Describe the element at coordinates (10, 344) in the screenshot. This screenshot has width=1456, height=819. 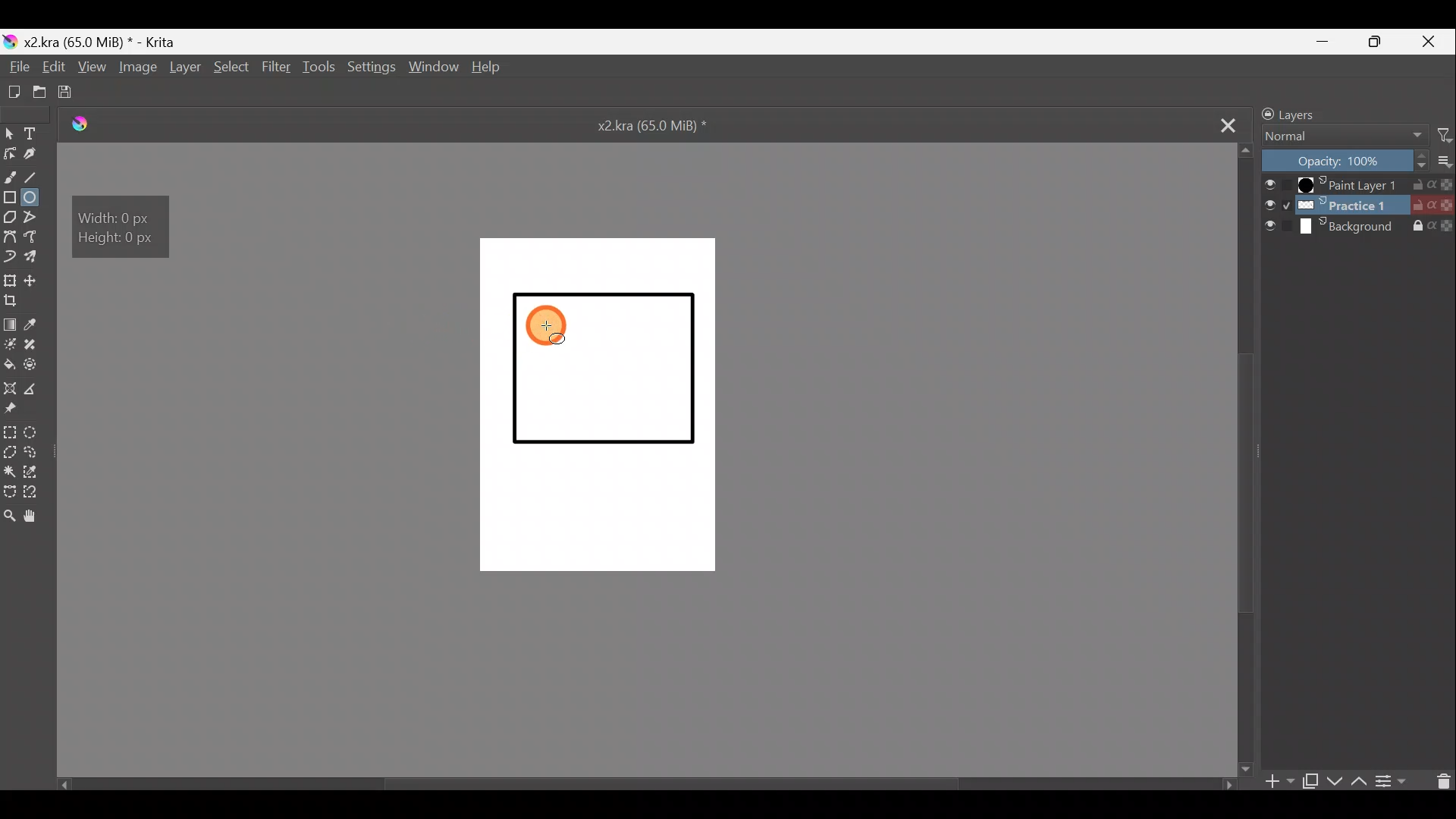
I see `Colourise mask tool` at that location.